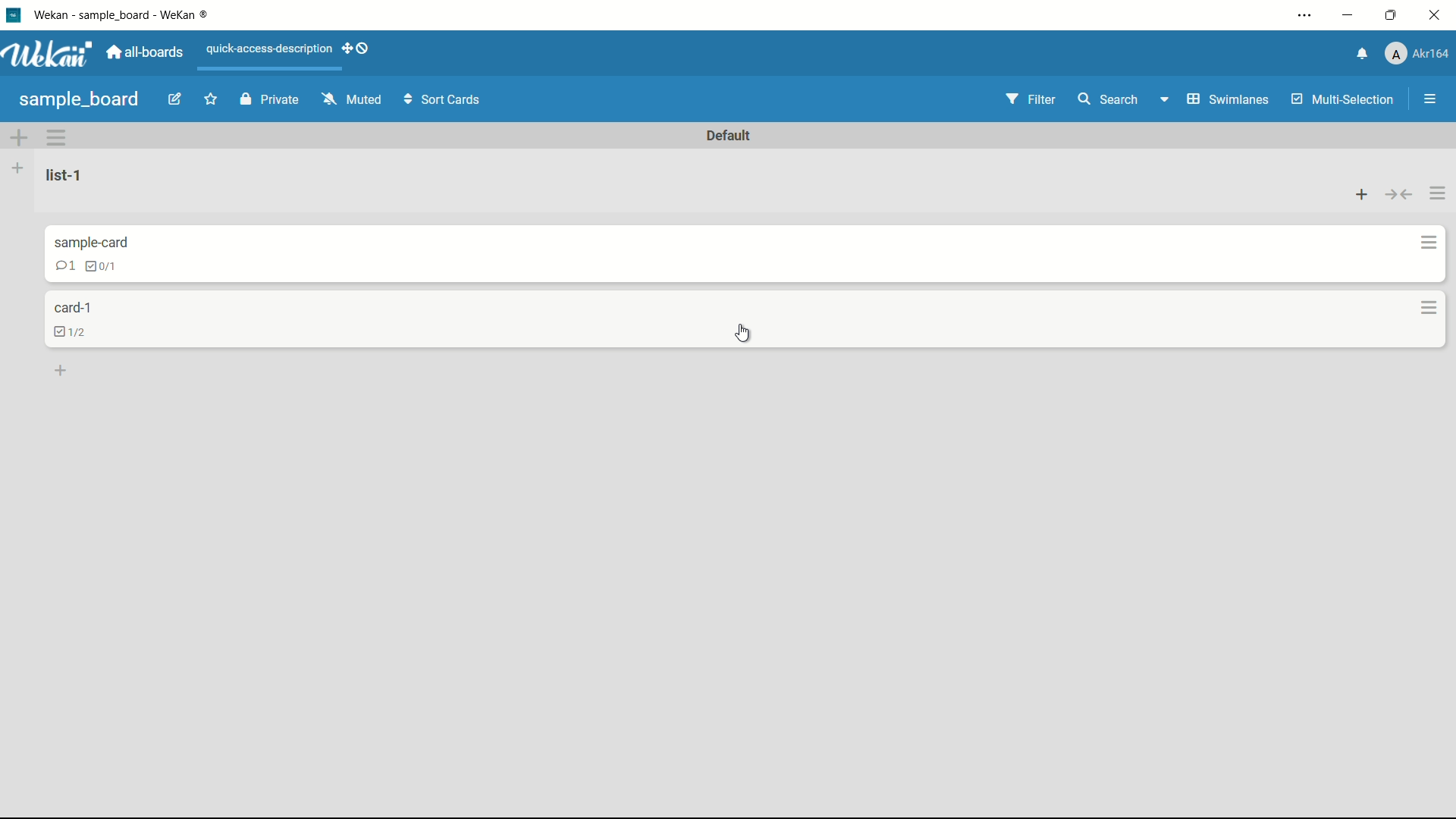 The height and width of the screenshot is (819, 1456). Describe the element at coordinates (64, 372) in the screenshot. I see `add card` at that location.